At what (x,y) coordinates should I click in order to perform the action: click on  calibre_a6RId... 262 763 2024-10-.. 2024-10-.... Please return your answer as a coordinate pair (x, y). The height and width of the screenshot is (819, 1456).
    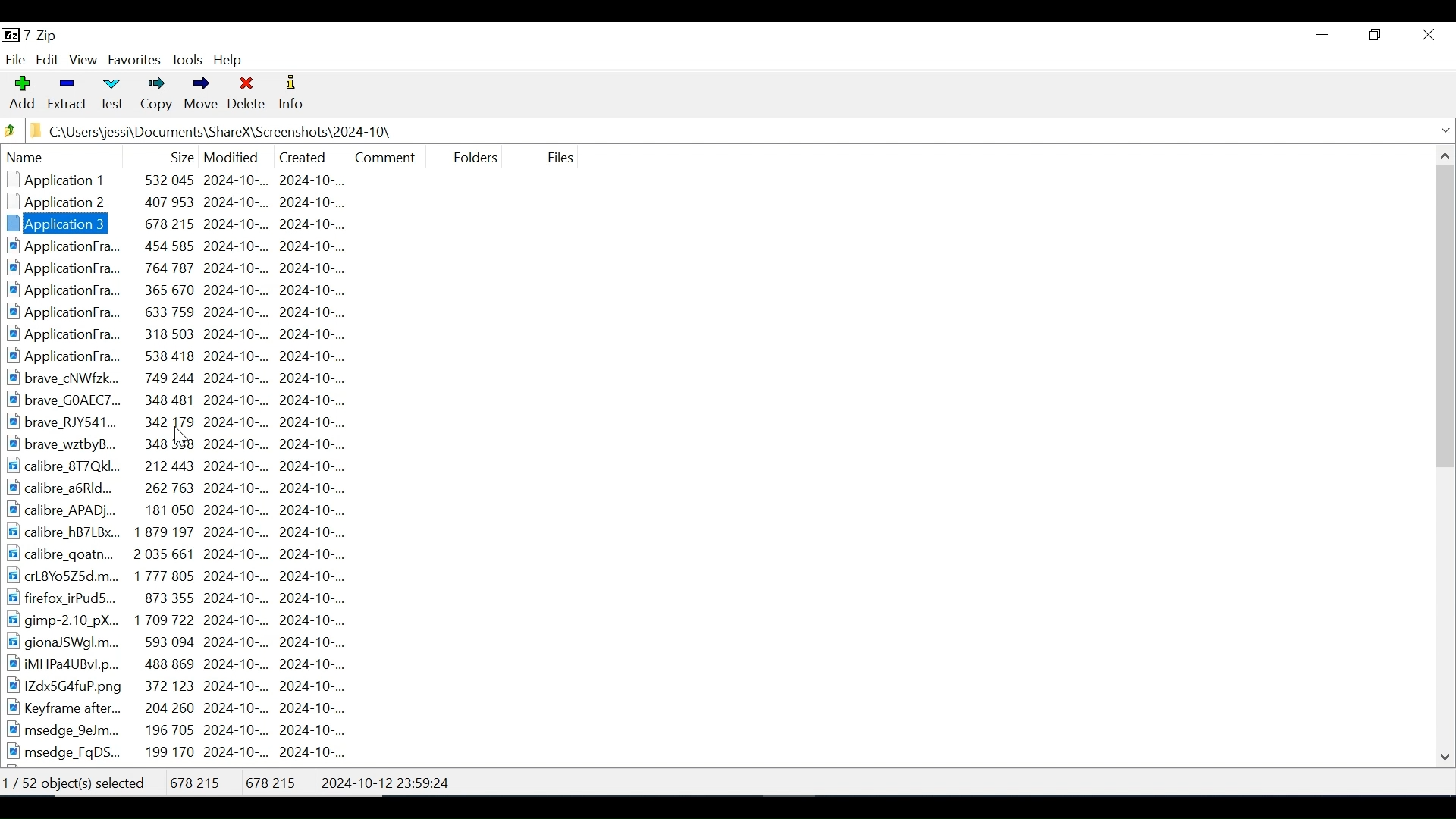
    Looking at the image, I should click on (191, 488).